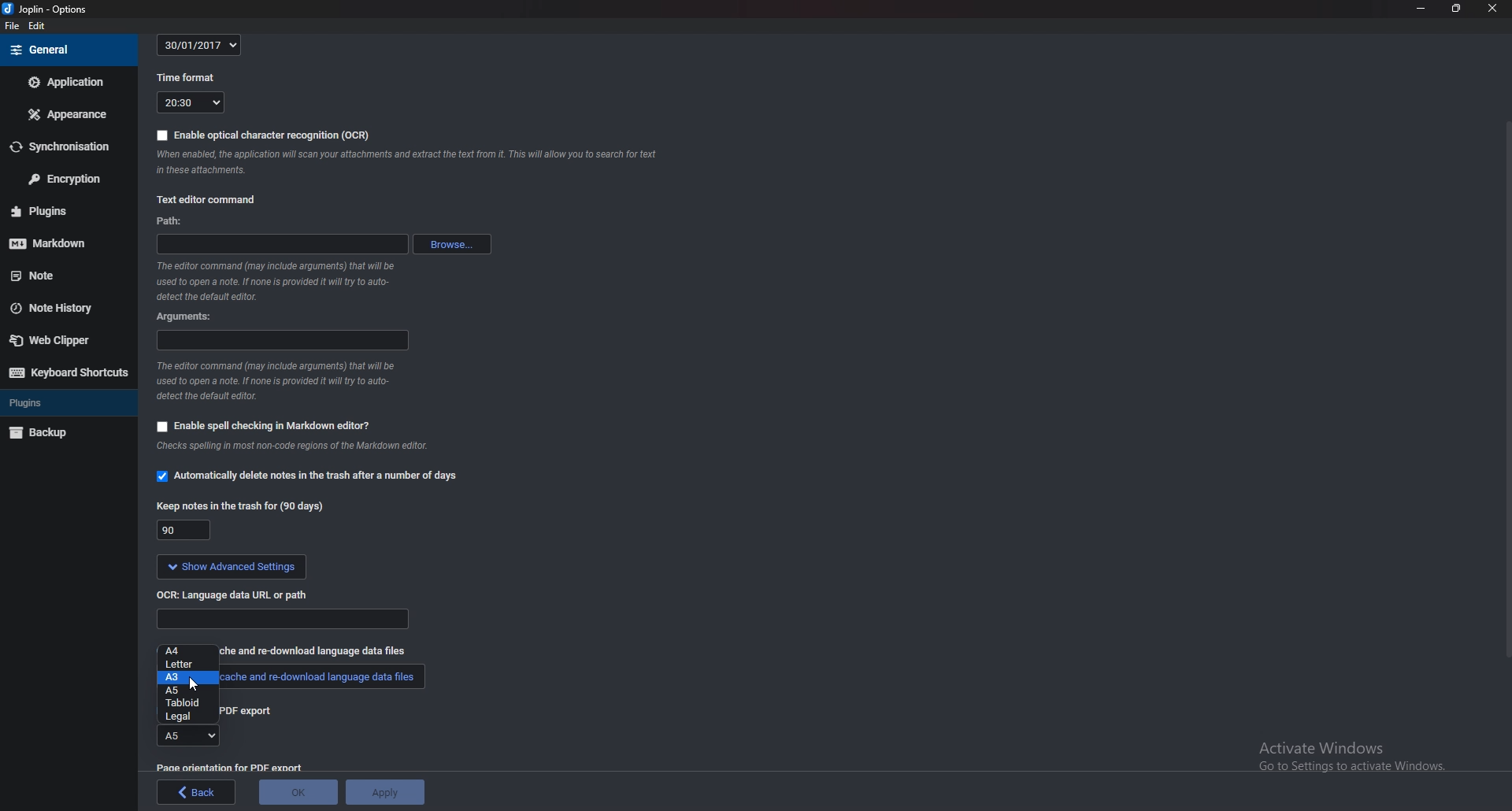 This screenshot has width=1512, height=811. What do you see at coordinates (236, 596) in the screenshot?
I see `o C R language data url or path` at bounding box center [236, 596].